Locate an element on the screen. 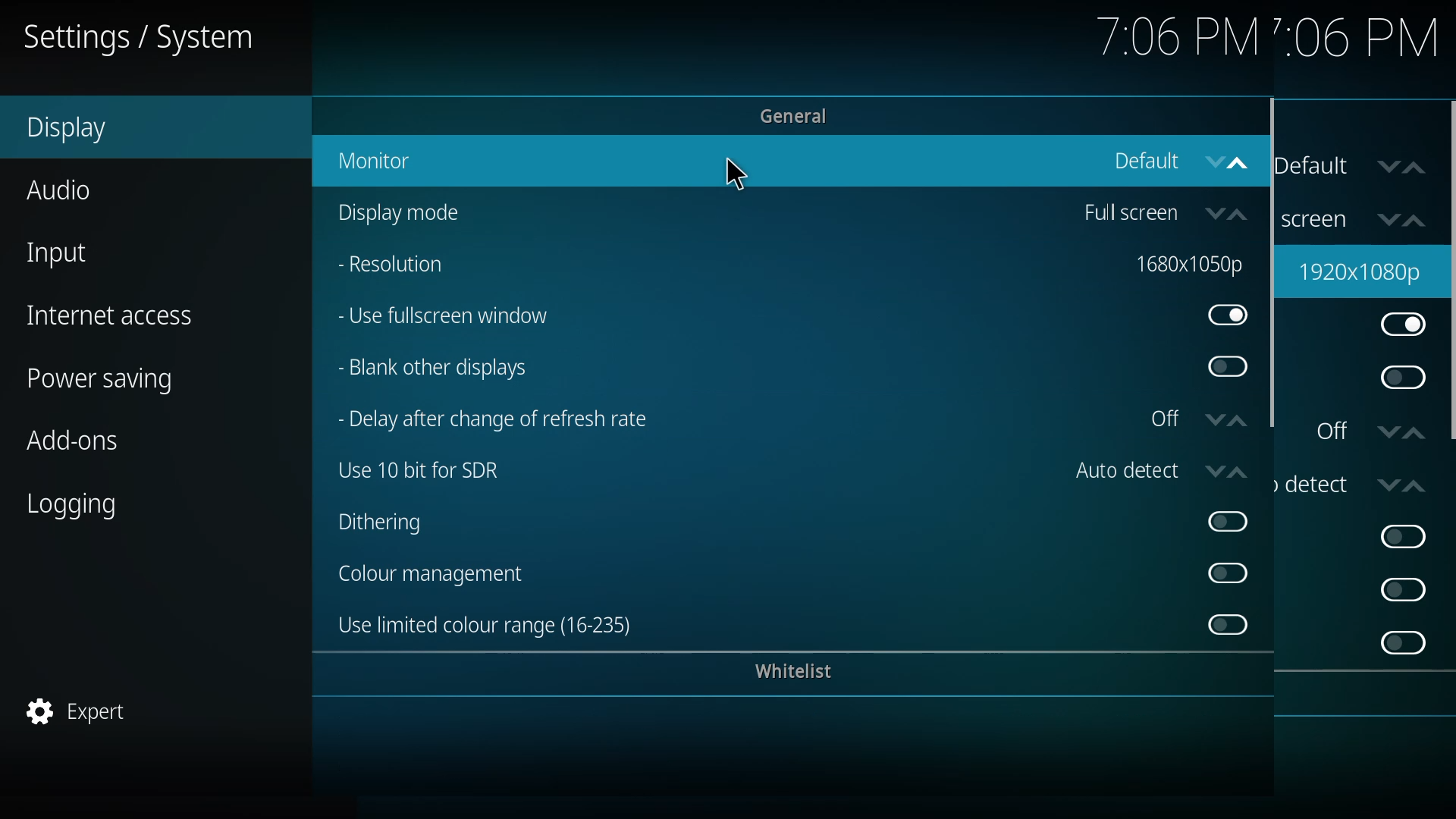 This screenshot has height=819, width=1456. enable is located at coordinates (1402, 536).